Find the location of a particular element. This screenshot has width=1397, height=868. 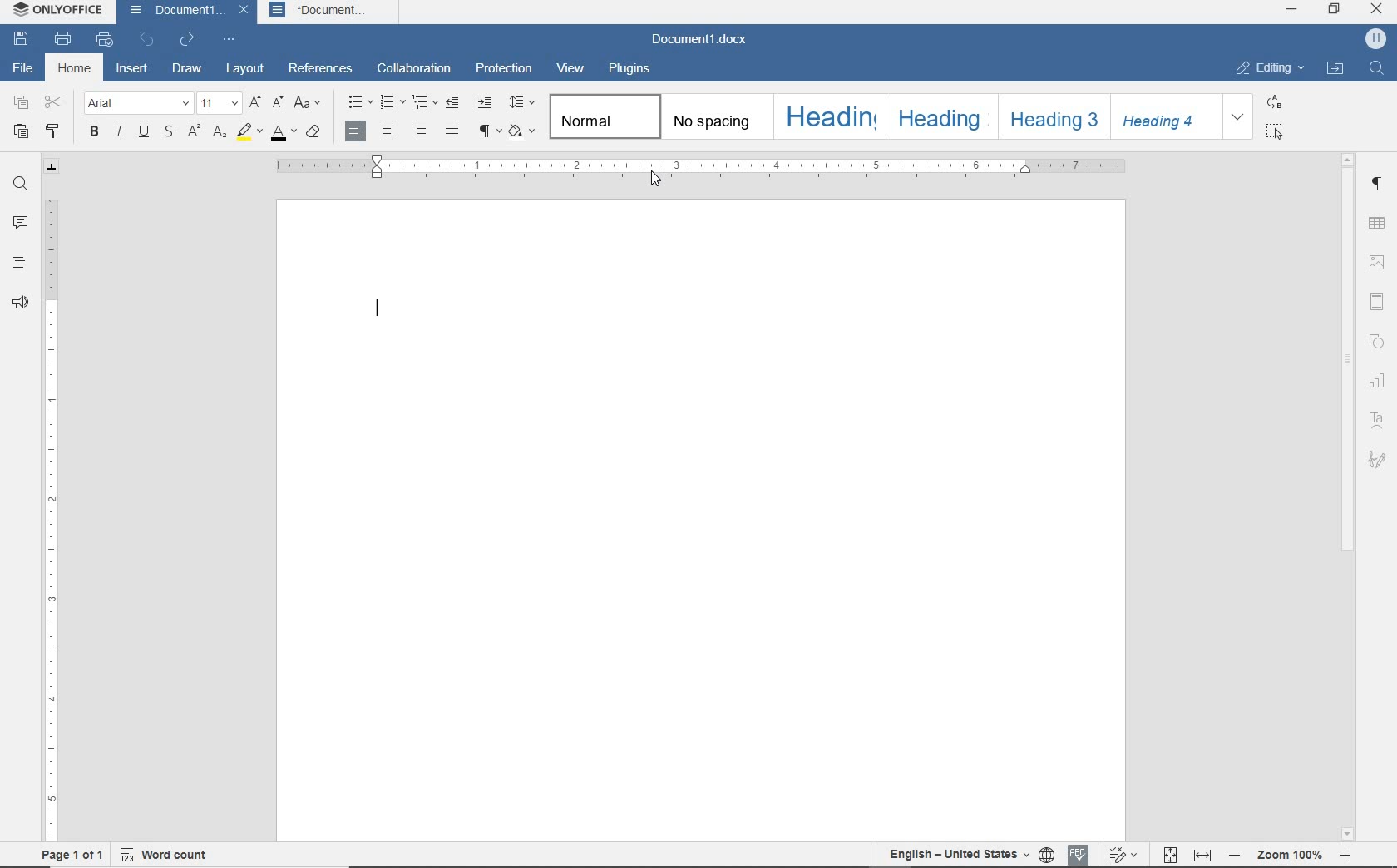

FONT COLOR is located at coordinates (283, 133).